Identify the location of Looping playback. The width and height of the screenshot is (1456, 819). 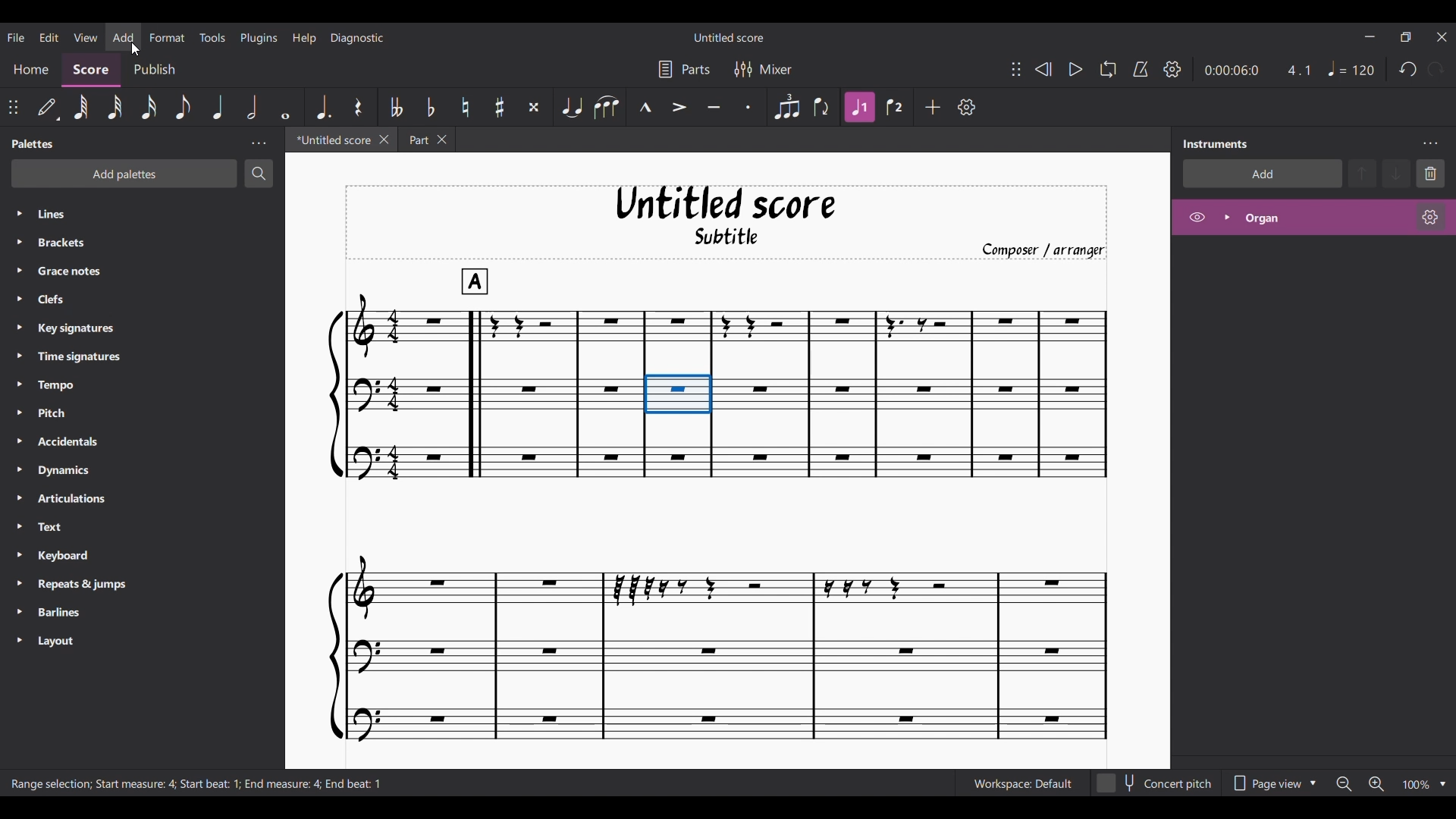
(1107, 69).